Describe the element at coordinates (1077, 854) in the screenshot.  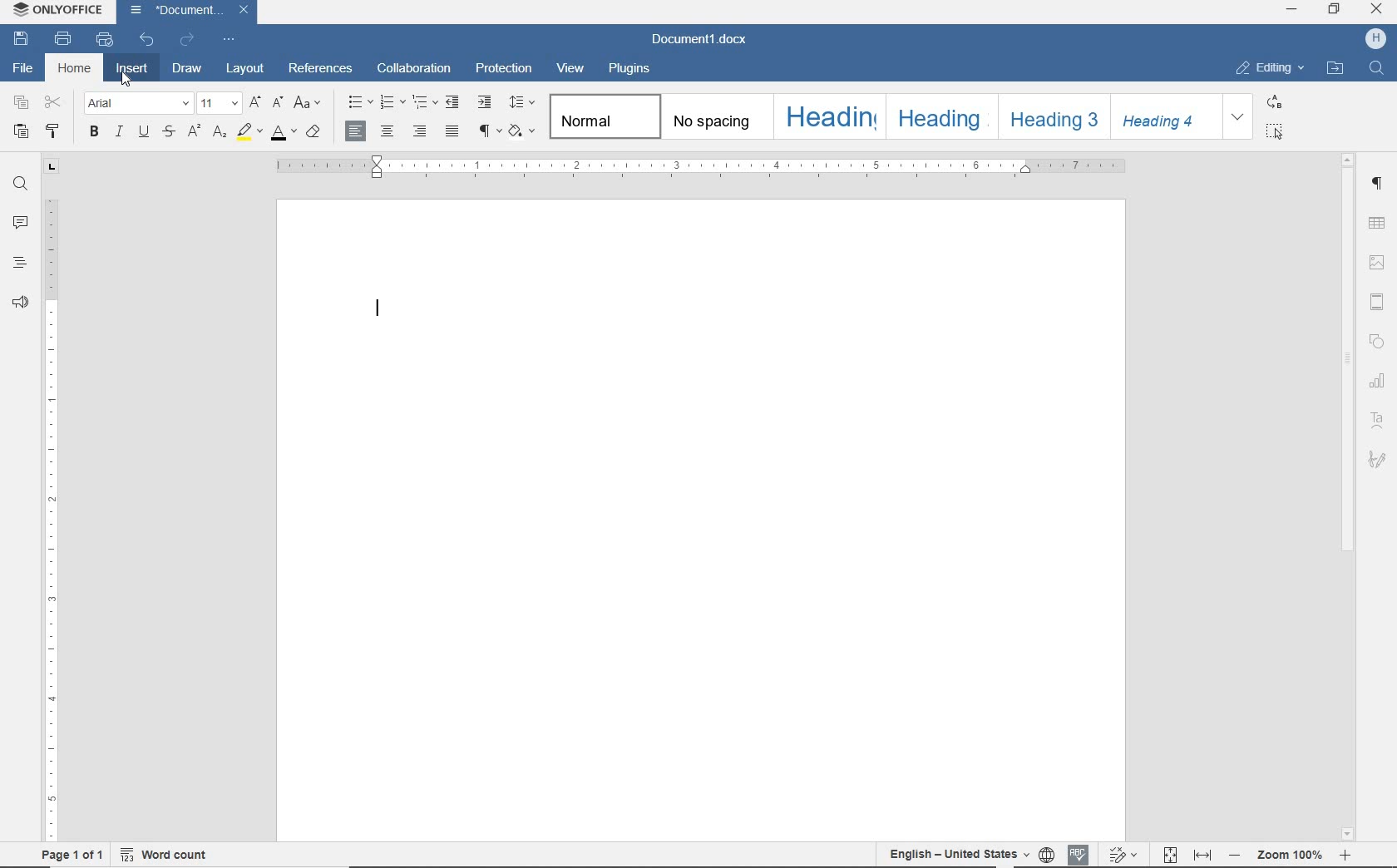
I see `spell checking` at that location.